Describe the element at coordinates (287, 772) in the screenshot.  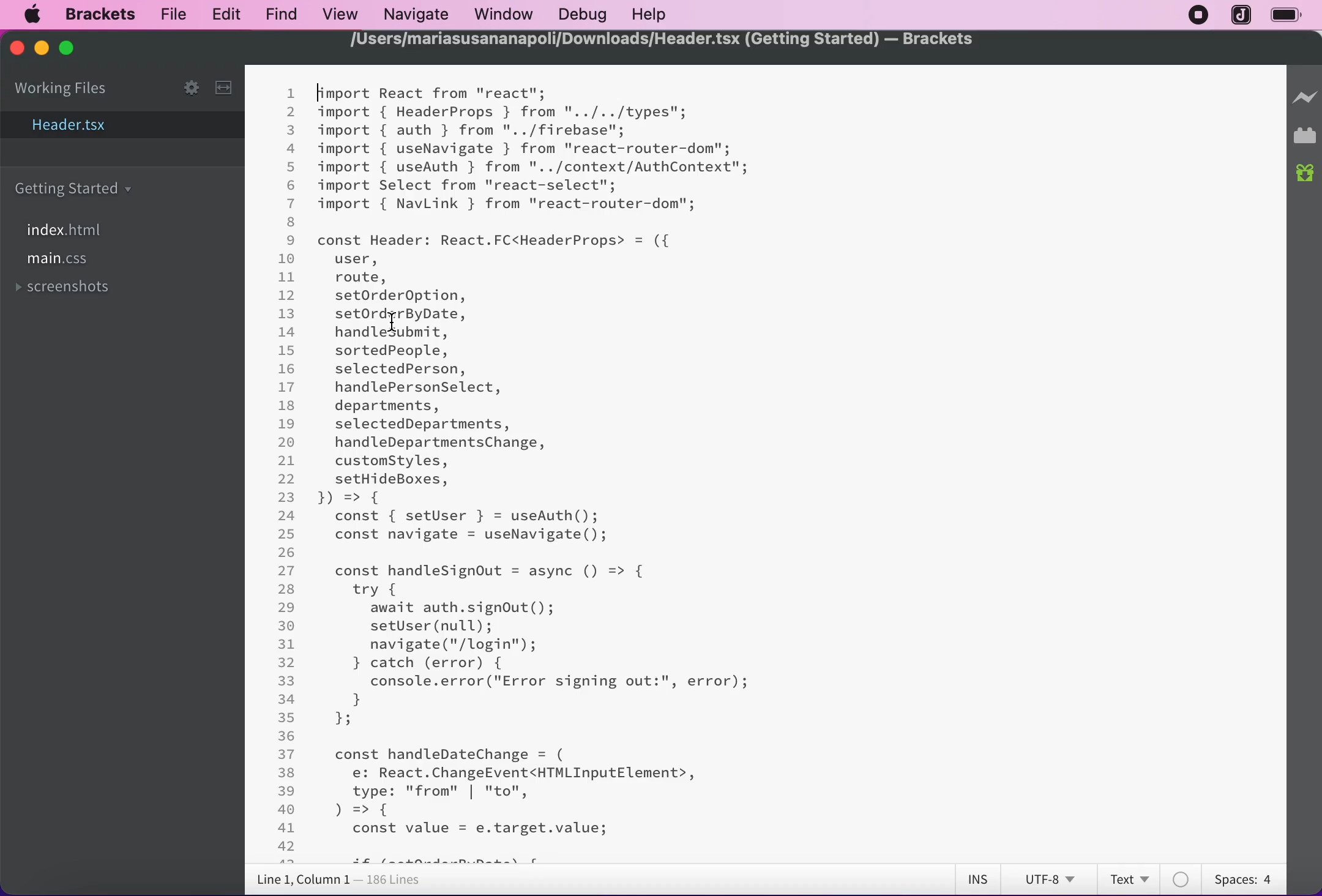
I see `38` at that location.